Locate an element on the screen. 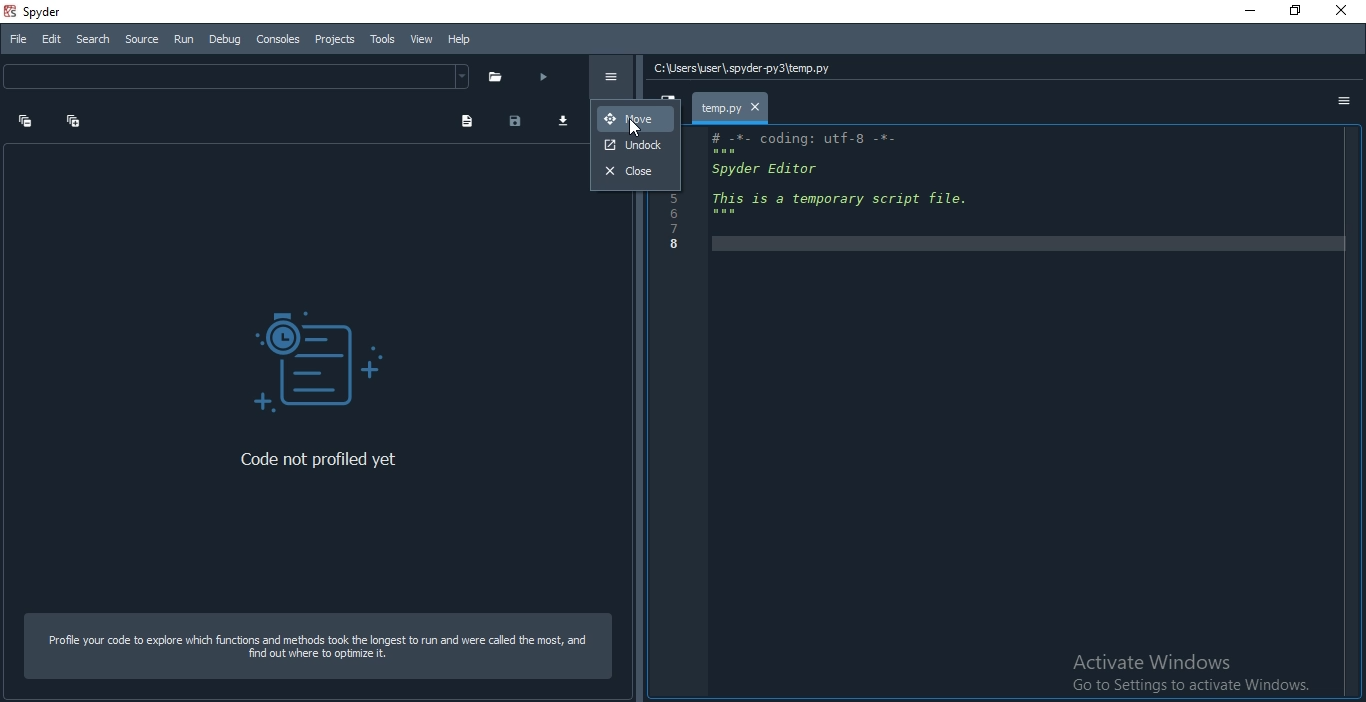 The image size is (1366, 702). undock is located at coordinates (633, 148).